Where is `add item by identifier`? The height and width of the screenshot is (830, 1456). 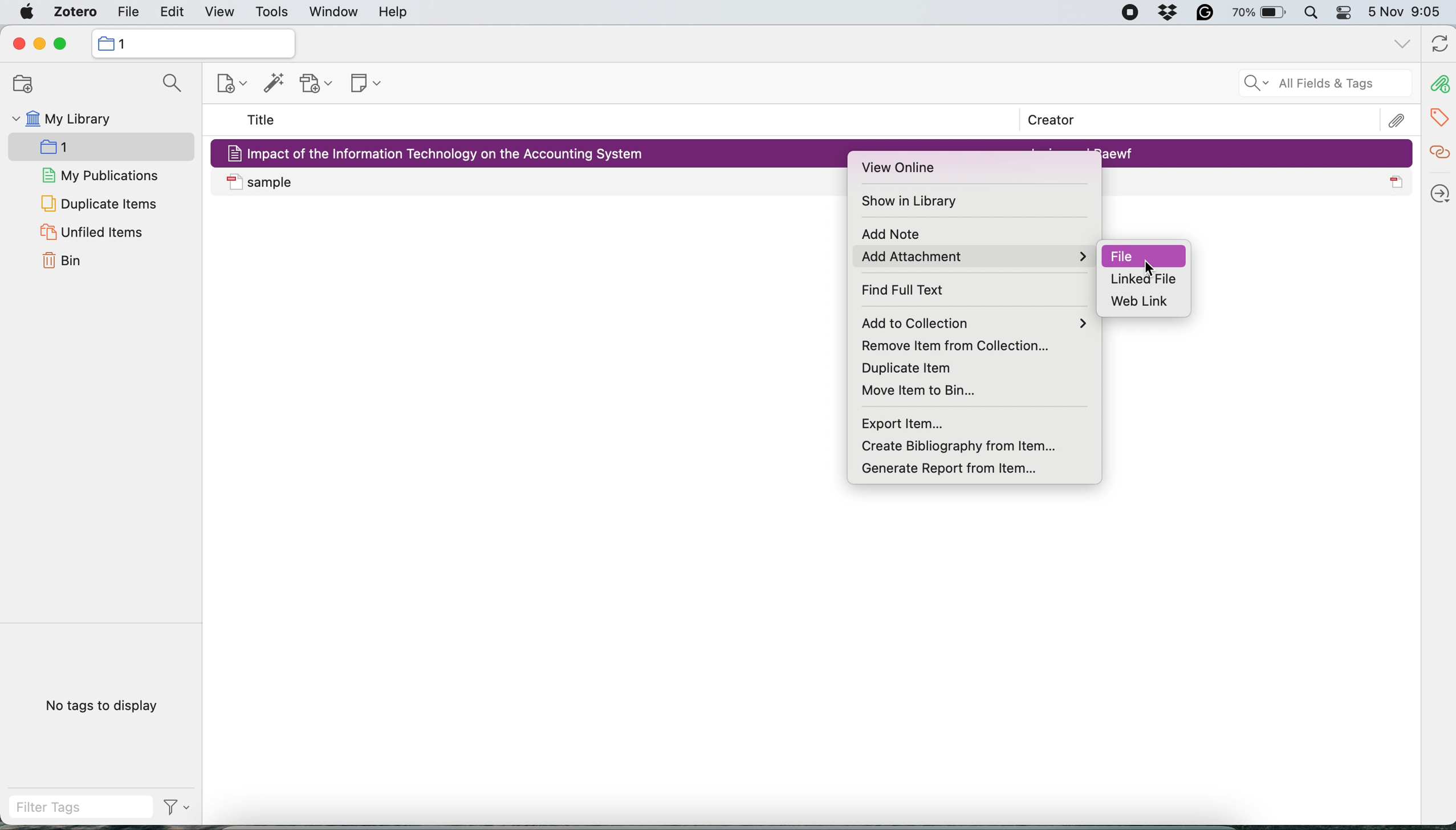
add item by identifier is located at coordinates (271, 84).